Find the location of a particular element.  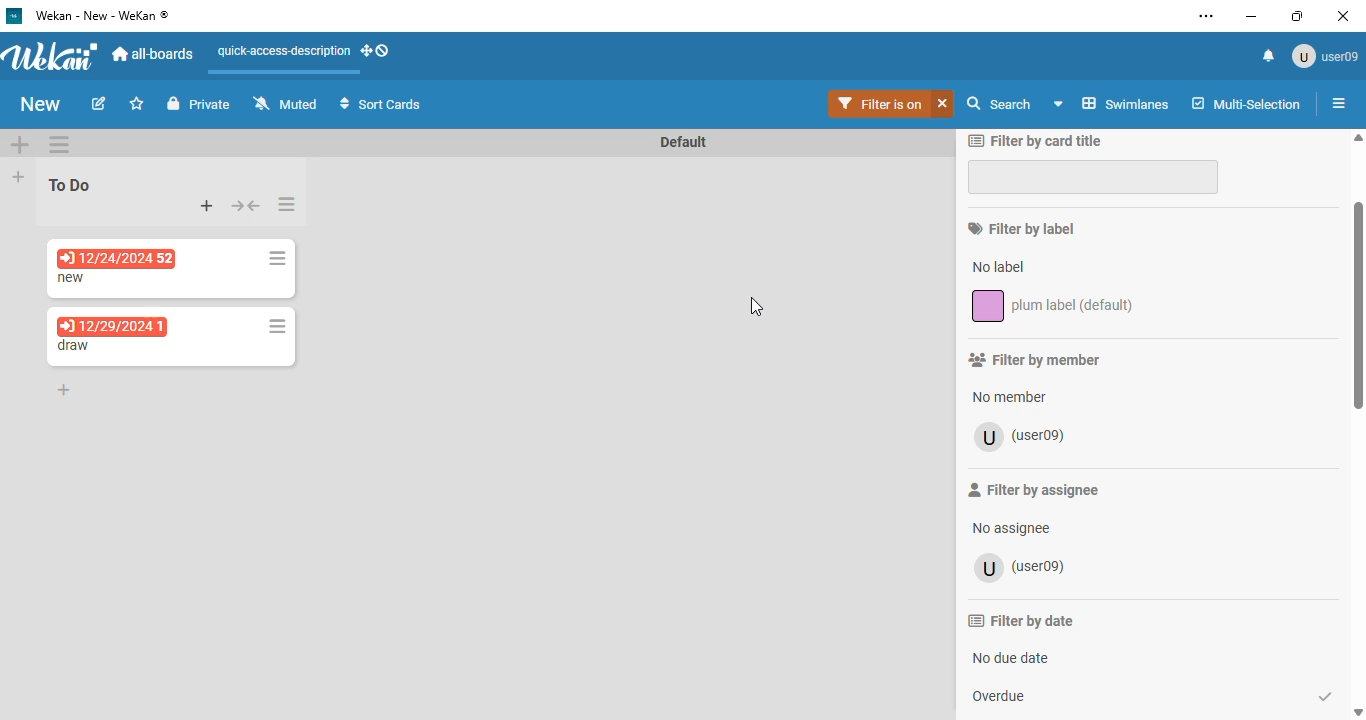

filter by member is located at coordinates (1036, 359).